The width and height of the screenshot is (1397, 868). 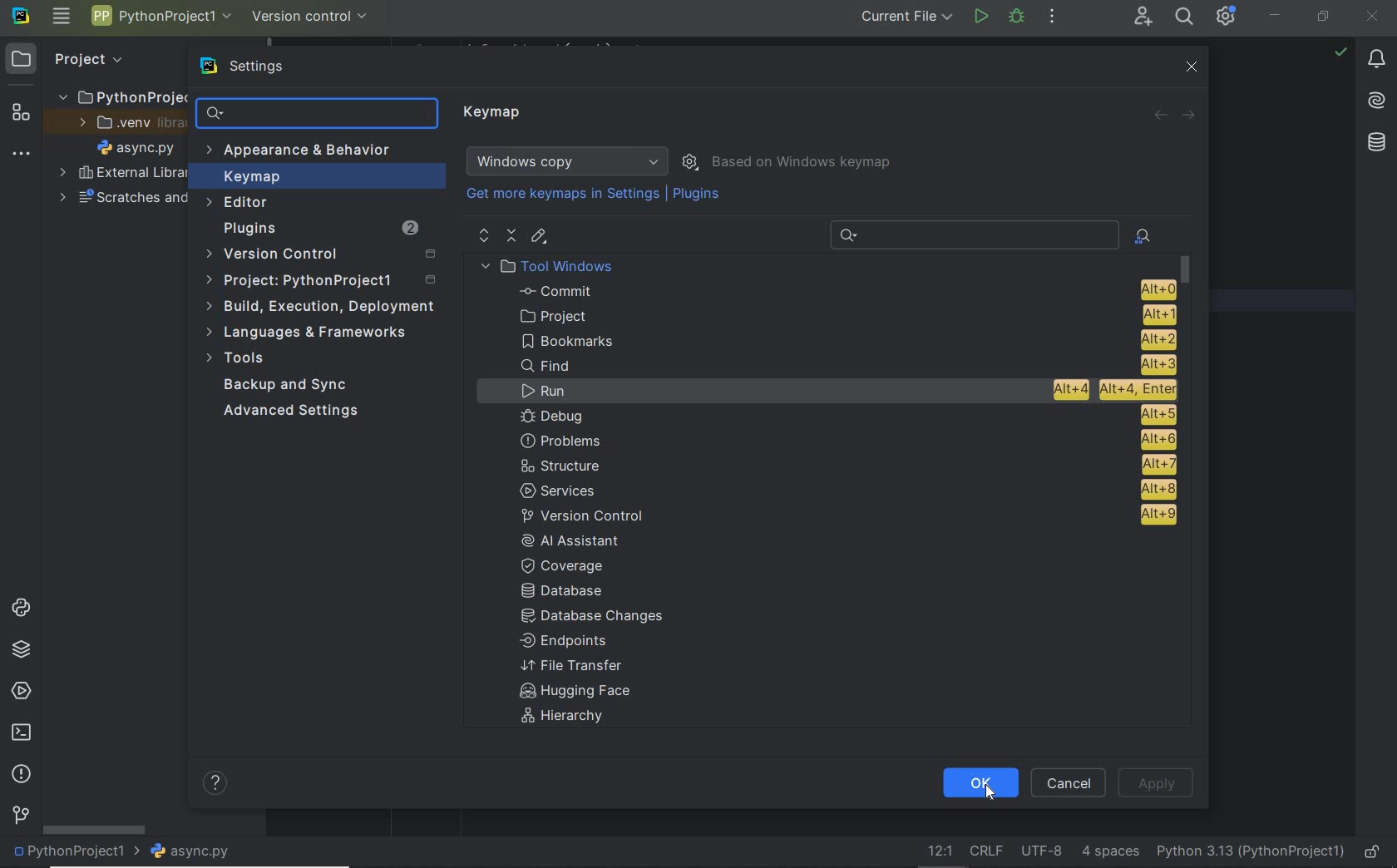 What do you see at coordinates (317, 113) in the screenshot?
I see `search settings` at bounding box center [317, 113].